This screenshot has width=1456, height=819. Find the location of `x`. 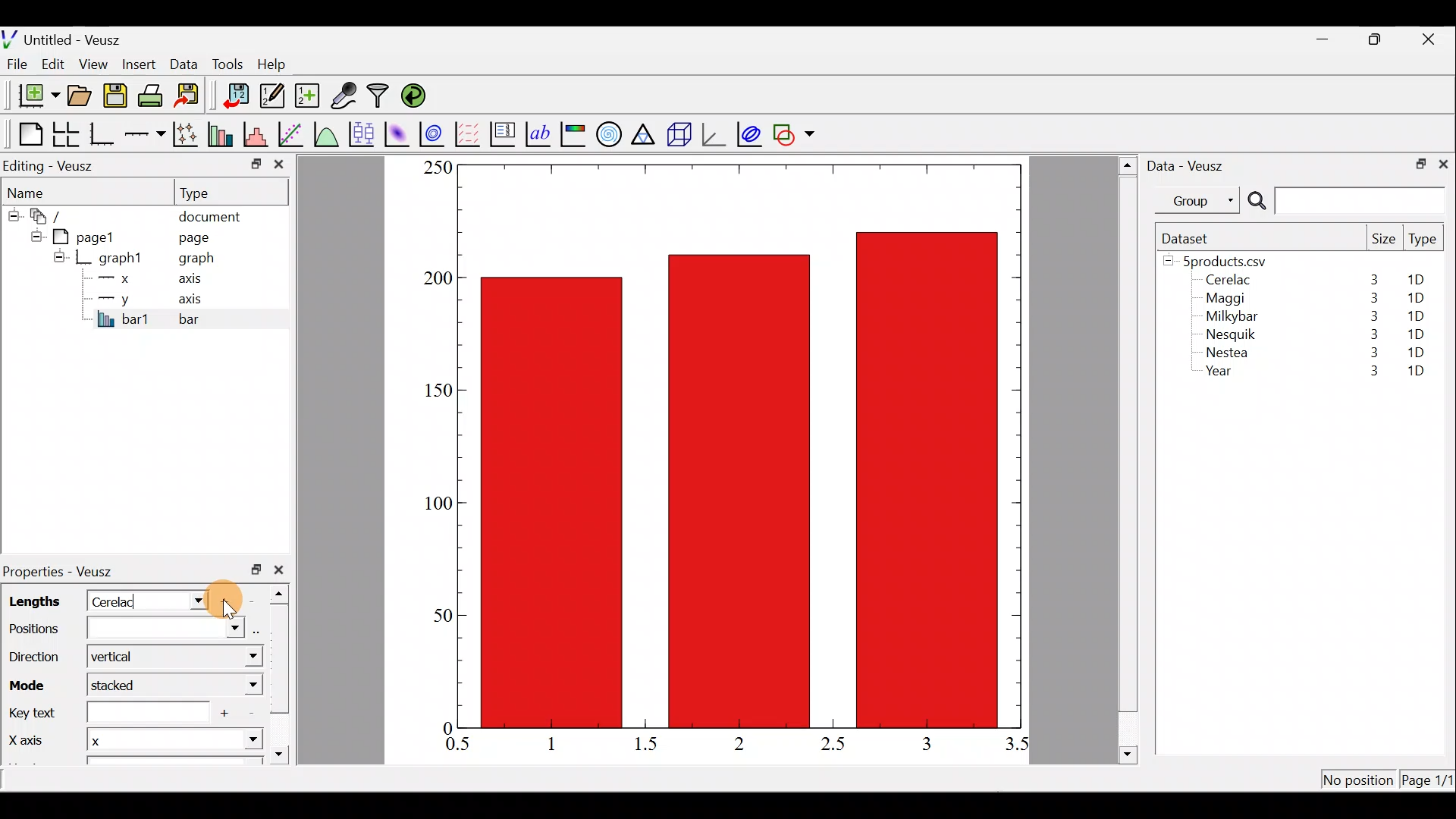

x is located at coordinates (118, 278).